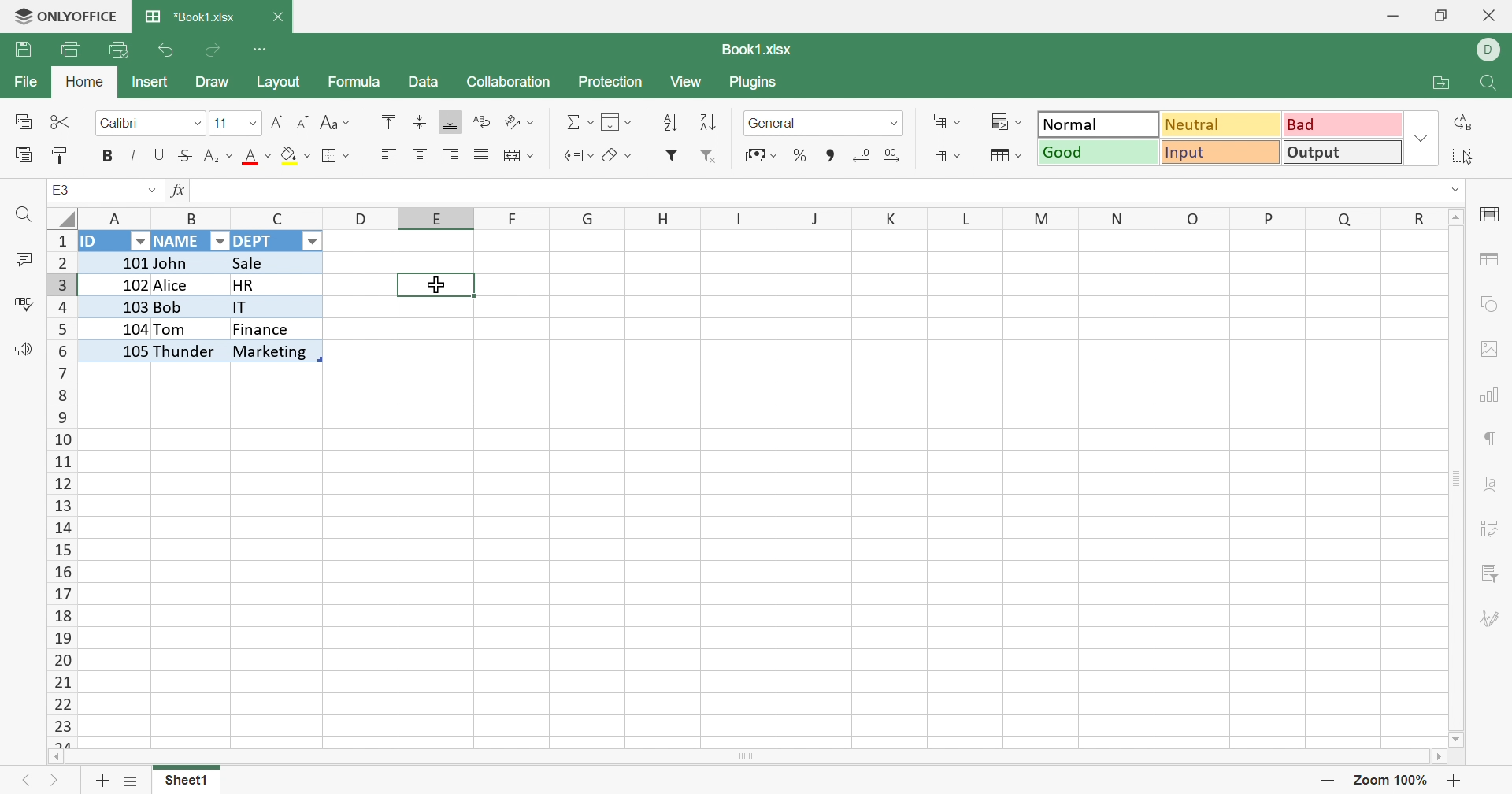  I want to click on Paragraph settings, so click(1491, 437).